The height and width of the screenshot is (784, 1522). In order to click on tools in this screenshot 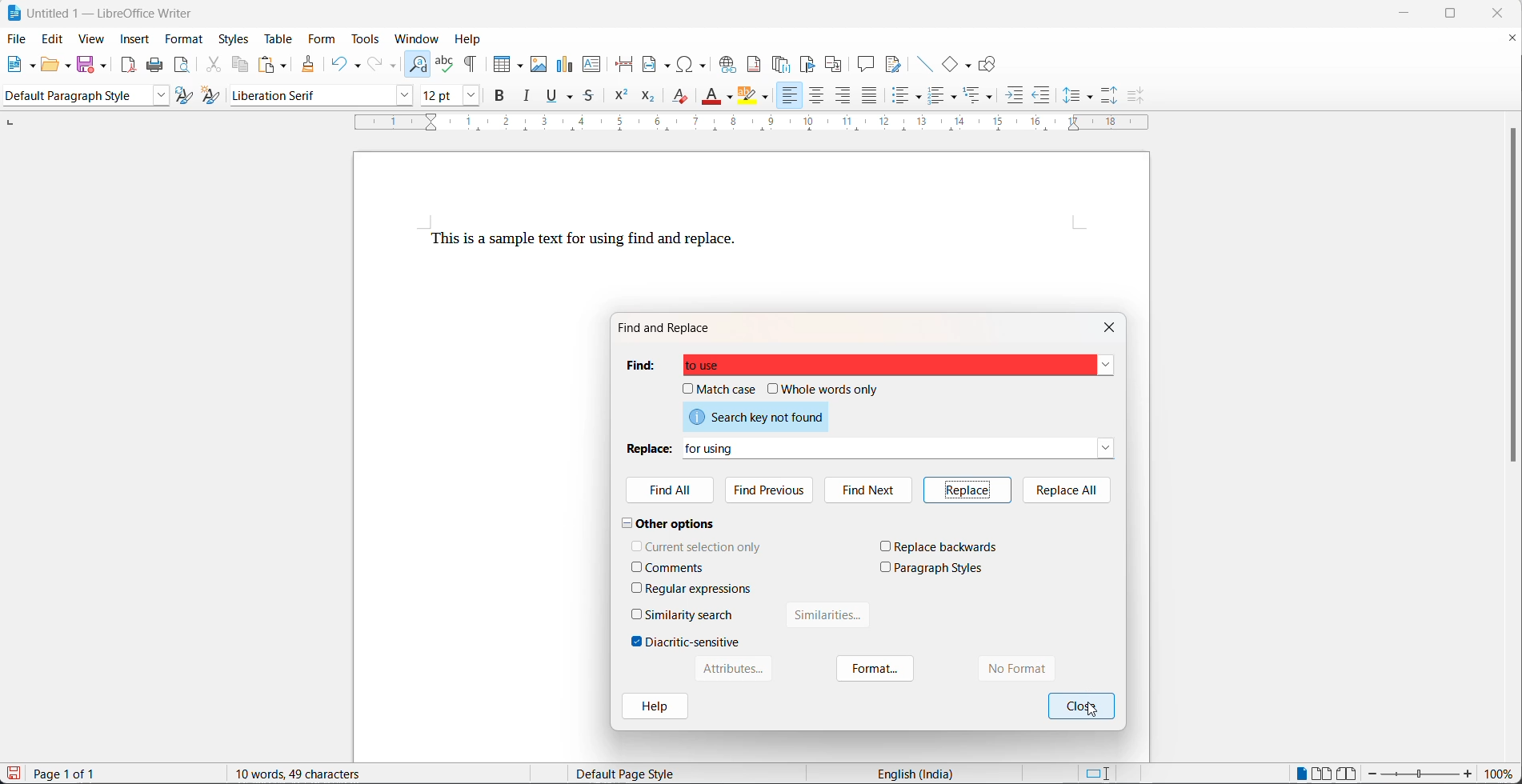, I will do `click(368, 39)`.